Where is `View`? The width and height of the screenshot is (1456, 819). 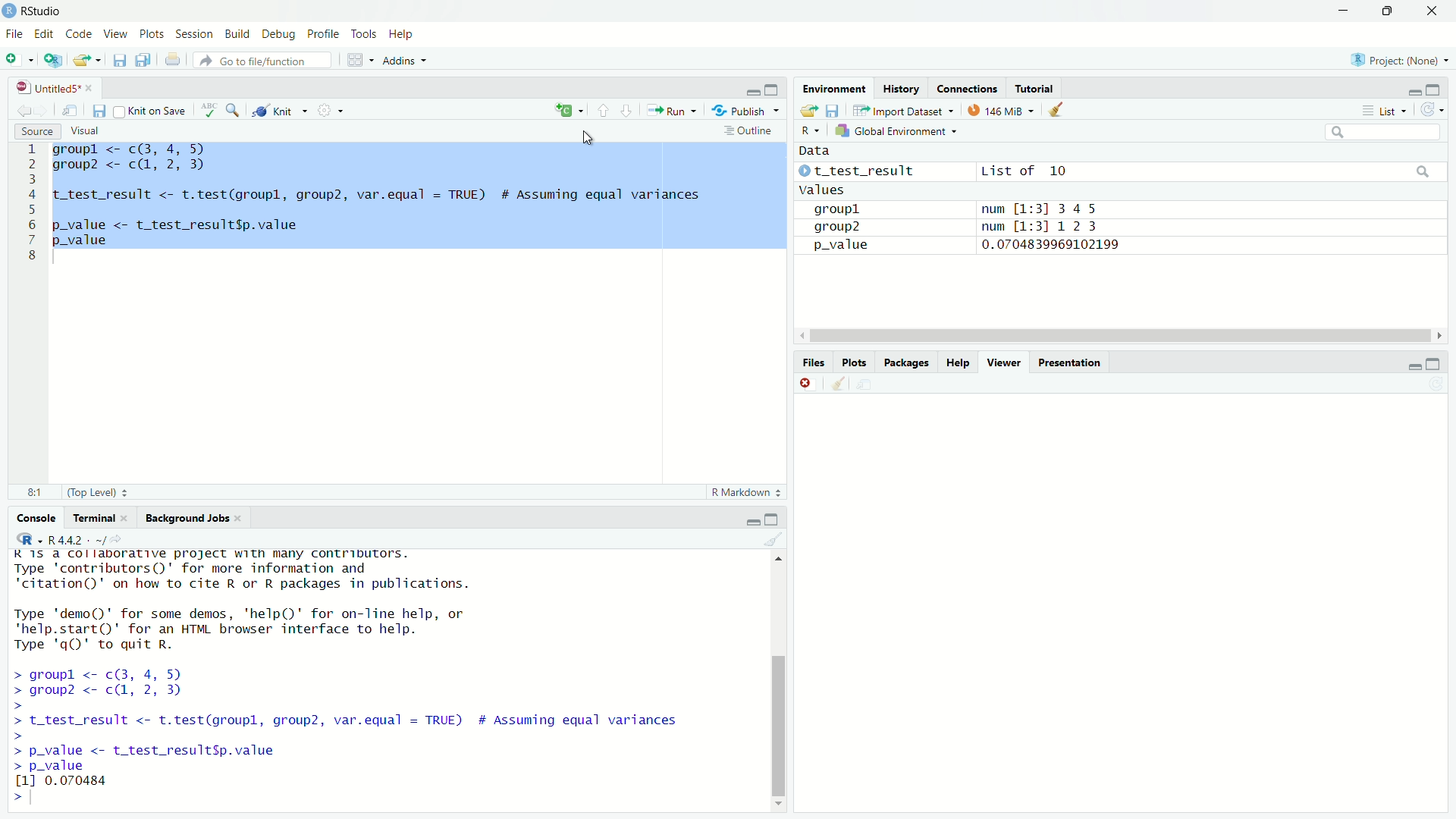
View is located at coordinates (115, 30).